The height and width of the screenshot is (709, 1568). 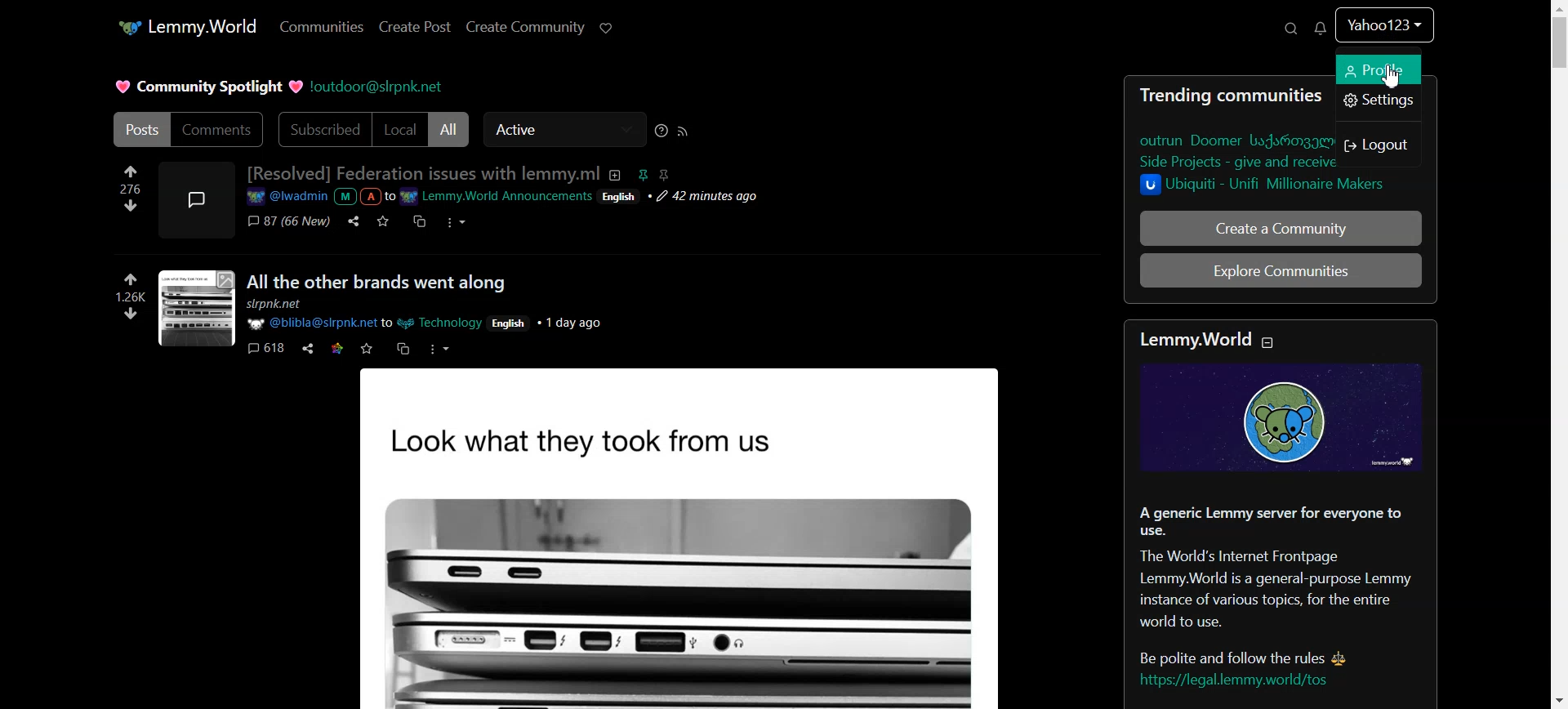 I want to click on more actions, so click(x=440, y=349).